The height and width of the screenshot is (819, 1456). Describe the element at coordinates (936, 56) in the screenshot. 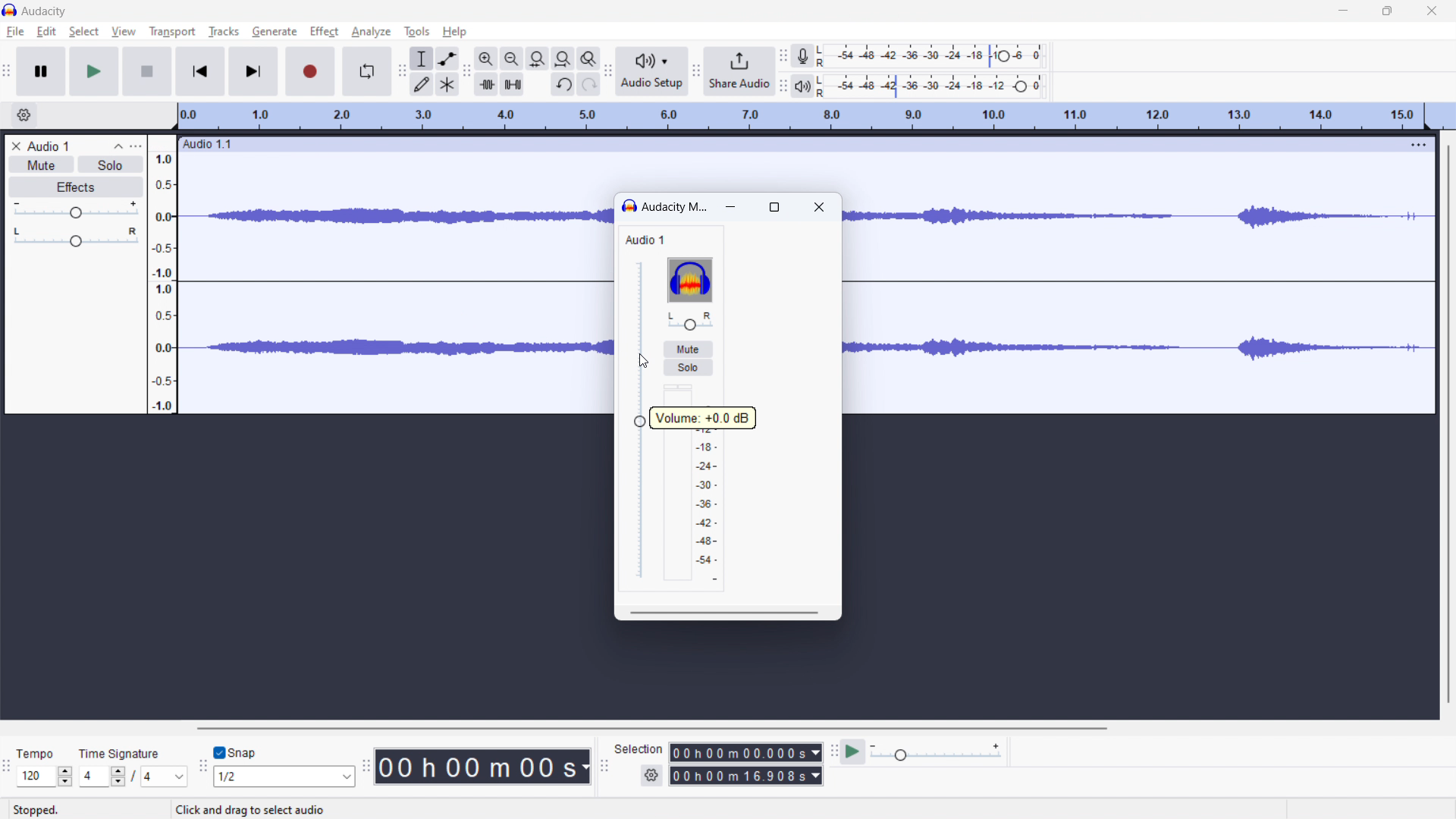

I see `record level` at that location.